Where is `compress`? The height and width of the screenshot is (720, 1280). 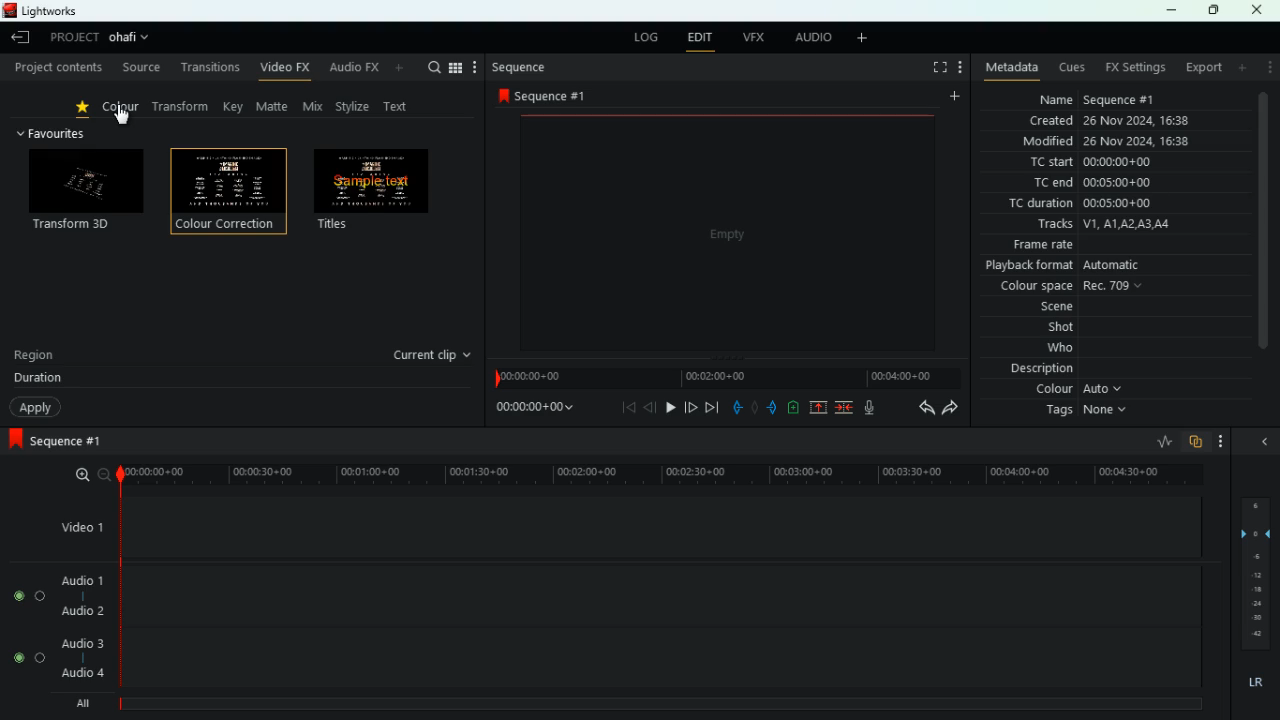
compress is located at coordinates (846, 409).